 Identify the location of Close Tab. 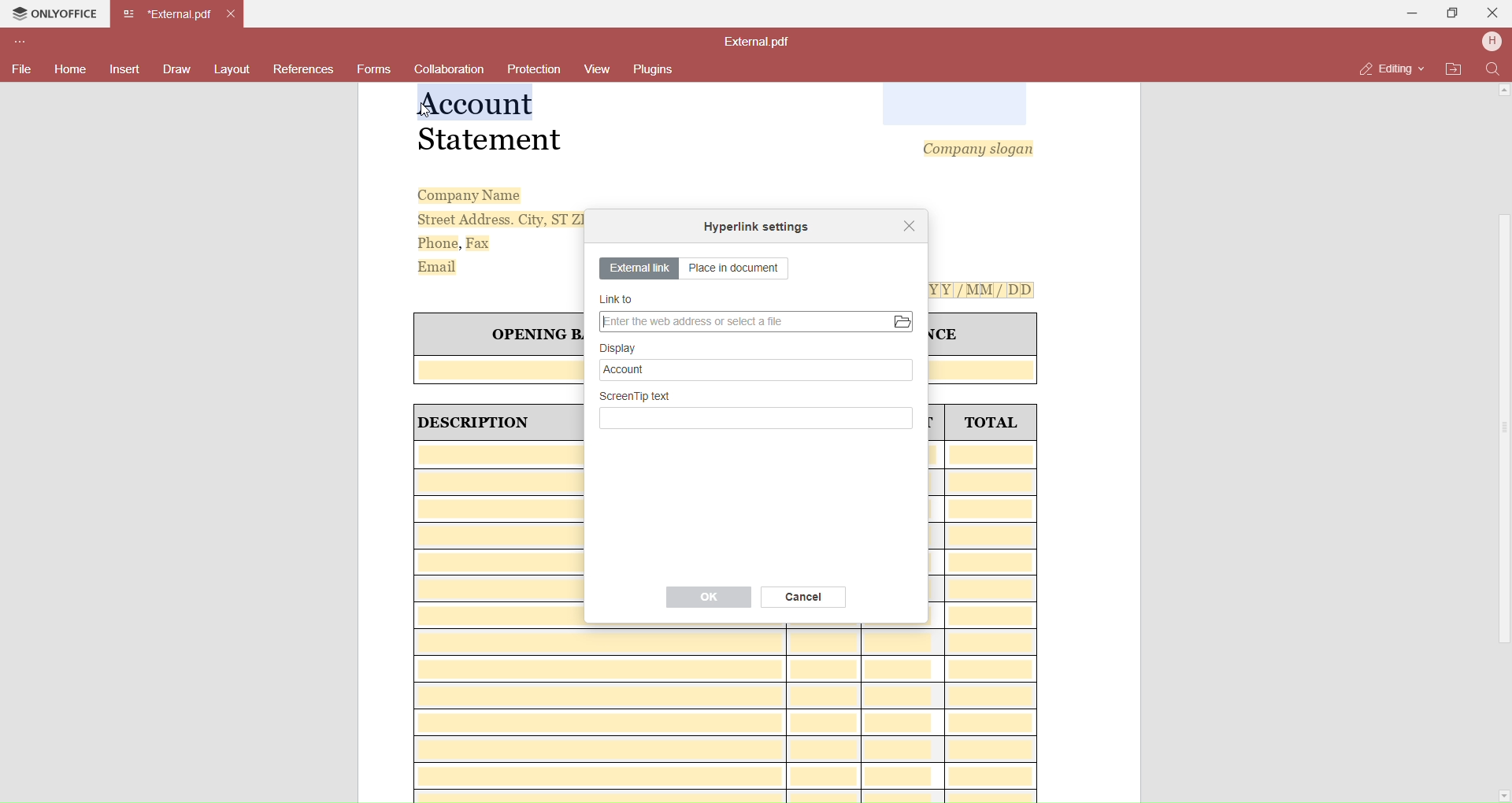
(236, 13).